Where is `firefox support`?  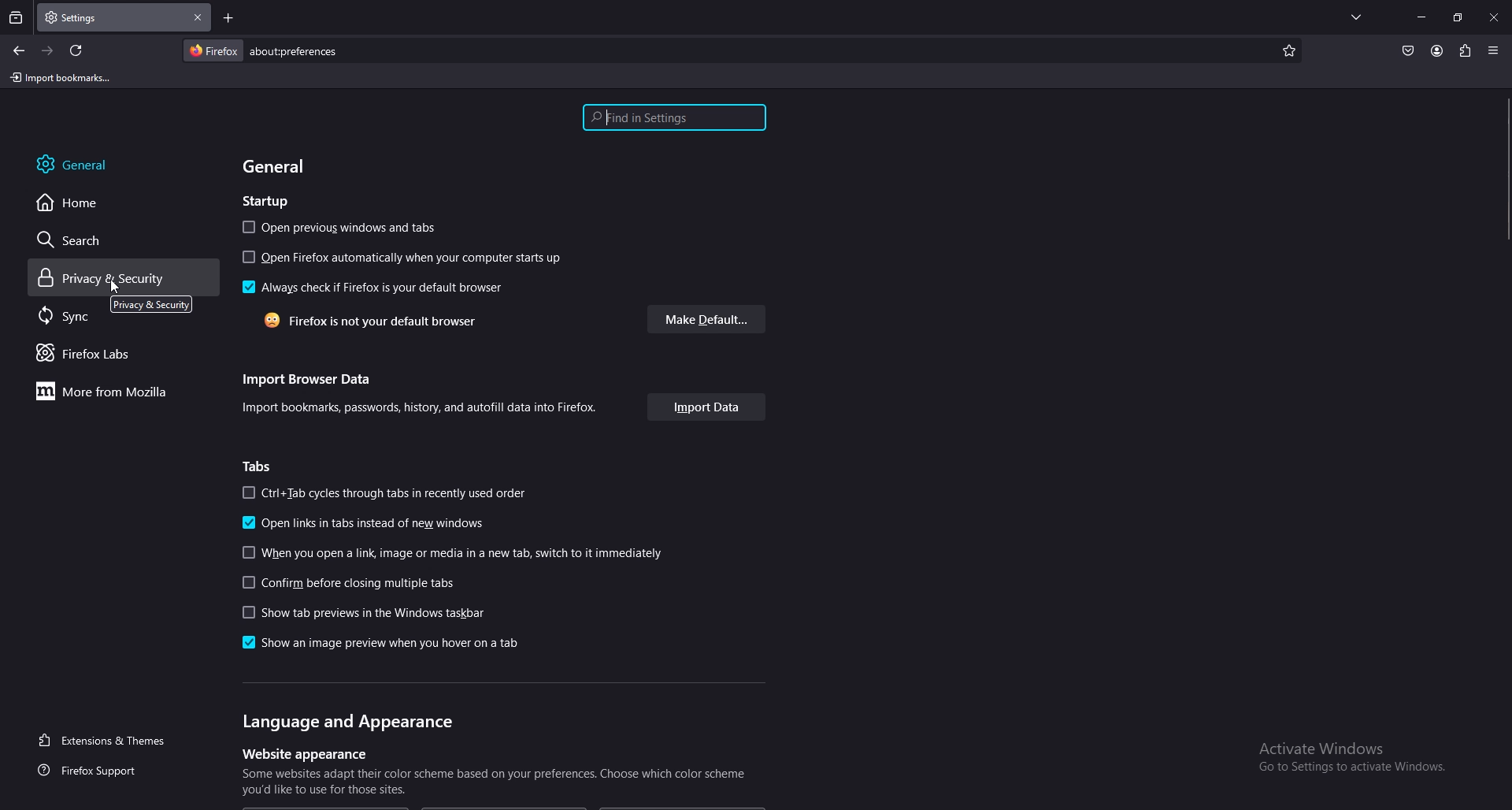
firefox support is located at coordinates (93, 771).